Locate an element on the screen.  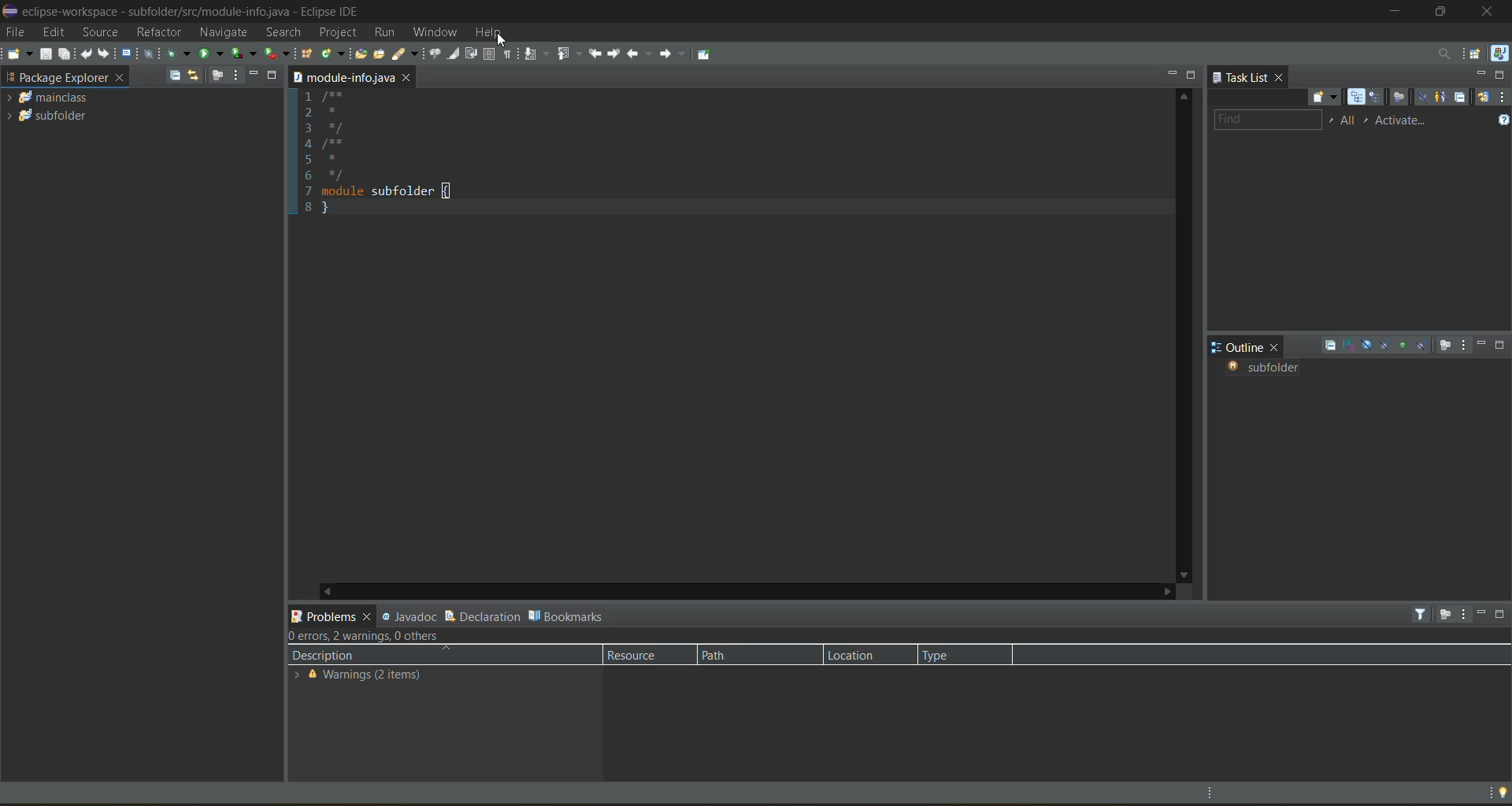
close is located at coordinates (122, 79).